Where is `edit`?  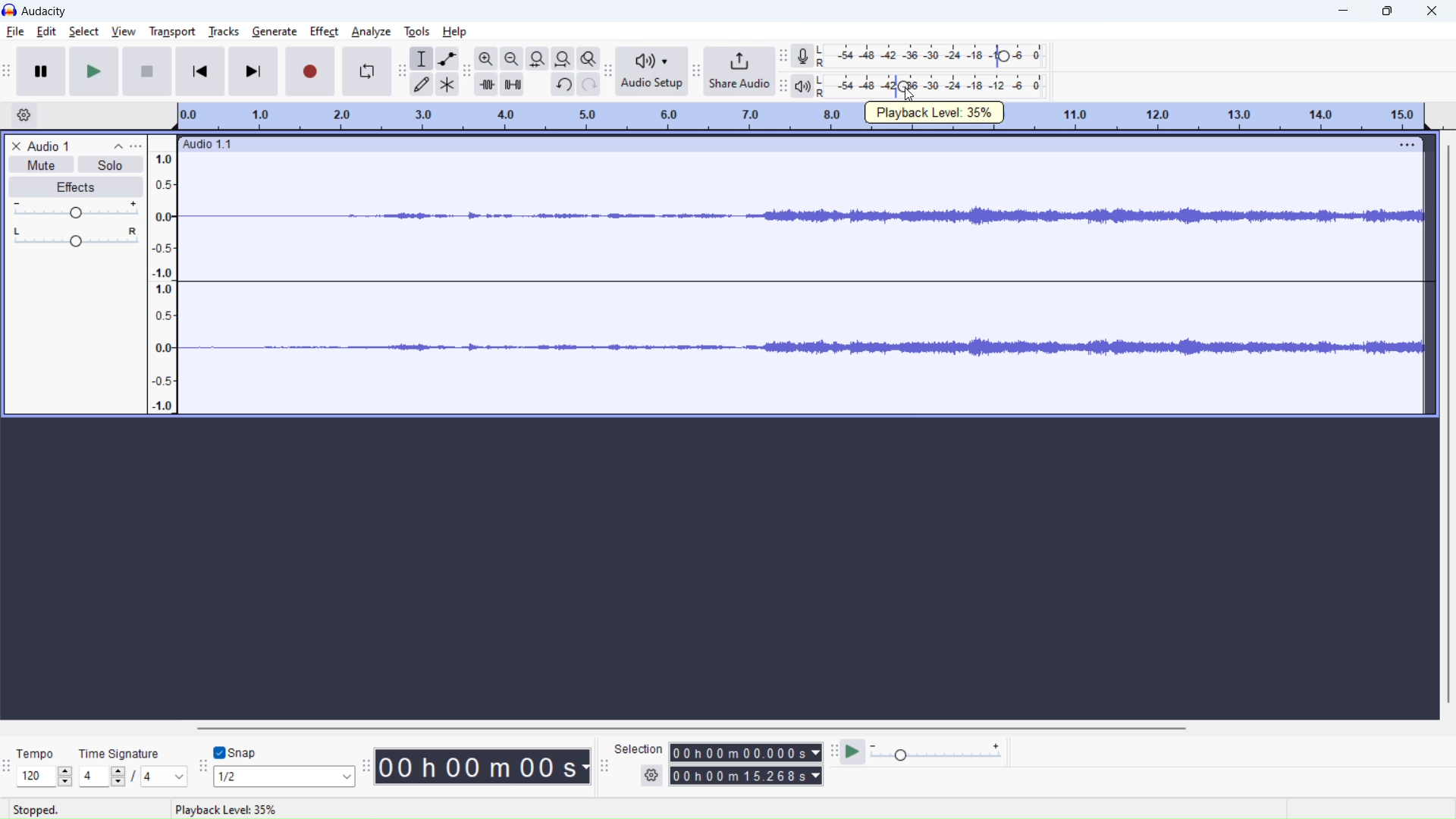
edit is located at coordinates (48, 31).